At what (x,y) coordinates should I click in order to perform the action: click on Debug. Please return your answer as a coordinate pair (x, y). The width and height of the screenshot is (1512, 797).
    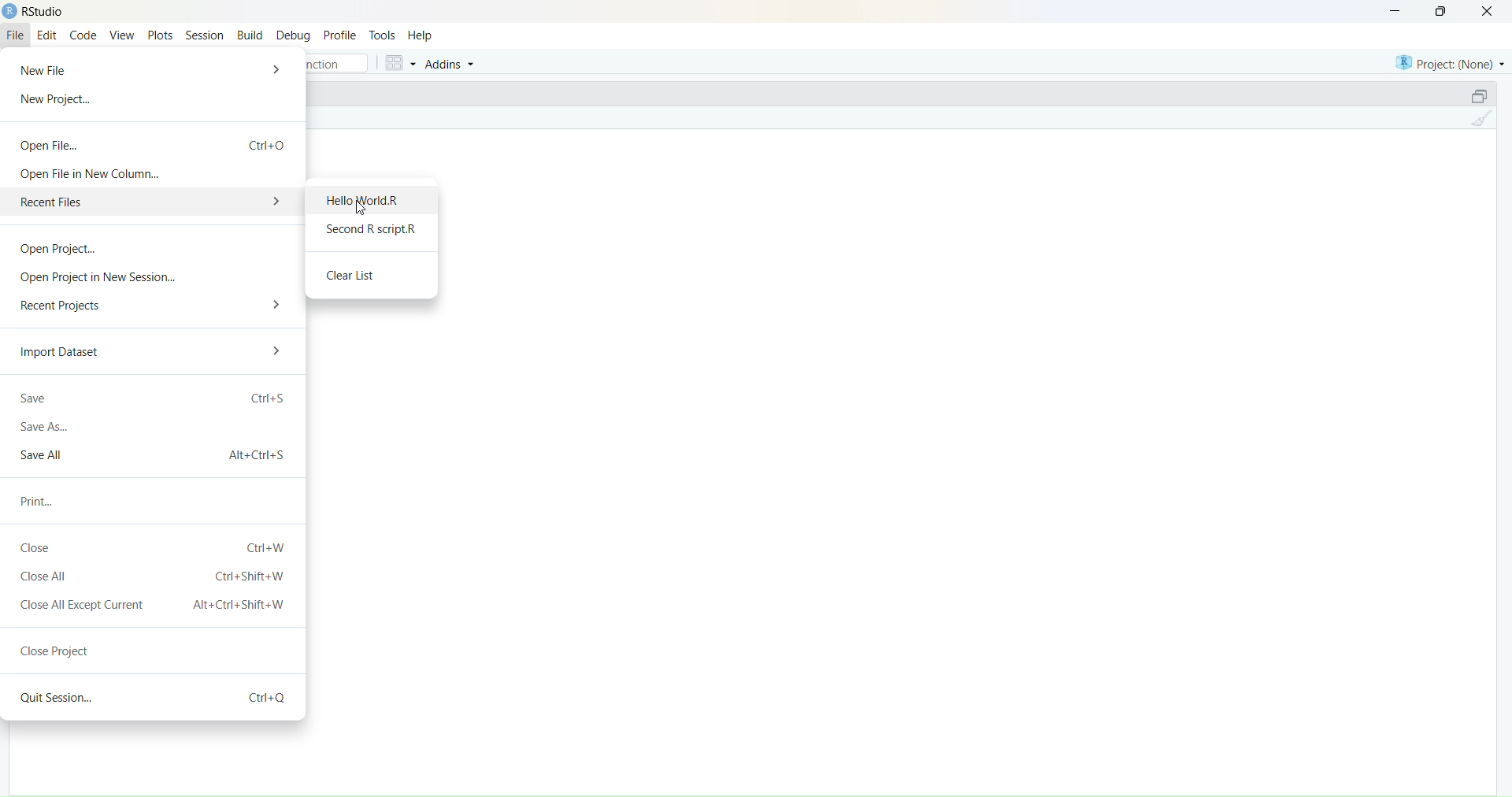
    Looking at the image, I should click on (294, 37).